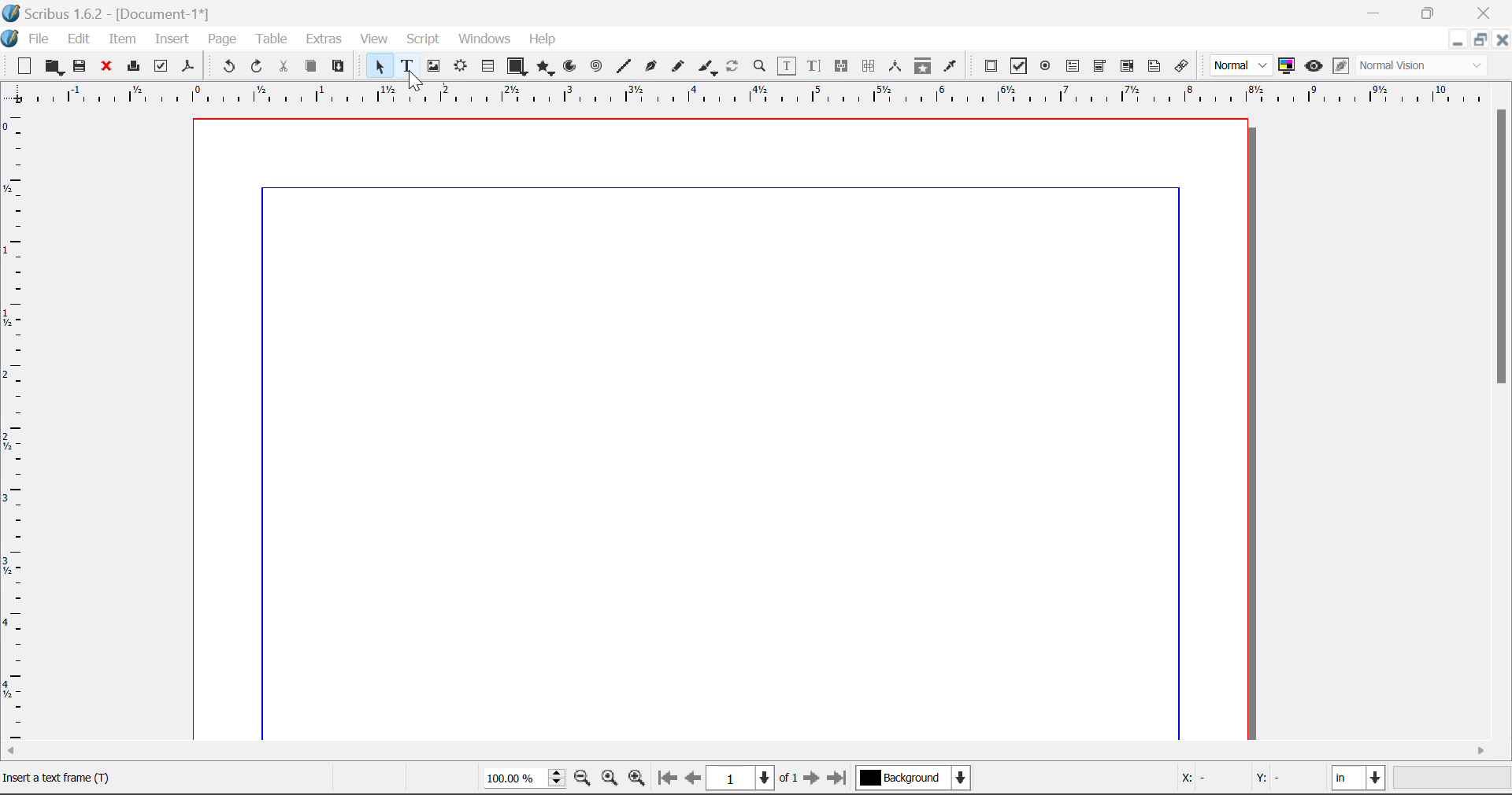 The width and height of the screenshot is (1512, 795). Describe the element at coordinates (1125, 66) in the screenshot. I see `Pdf Listbox` at that location.